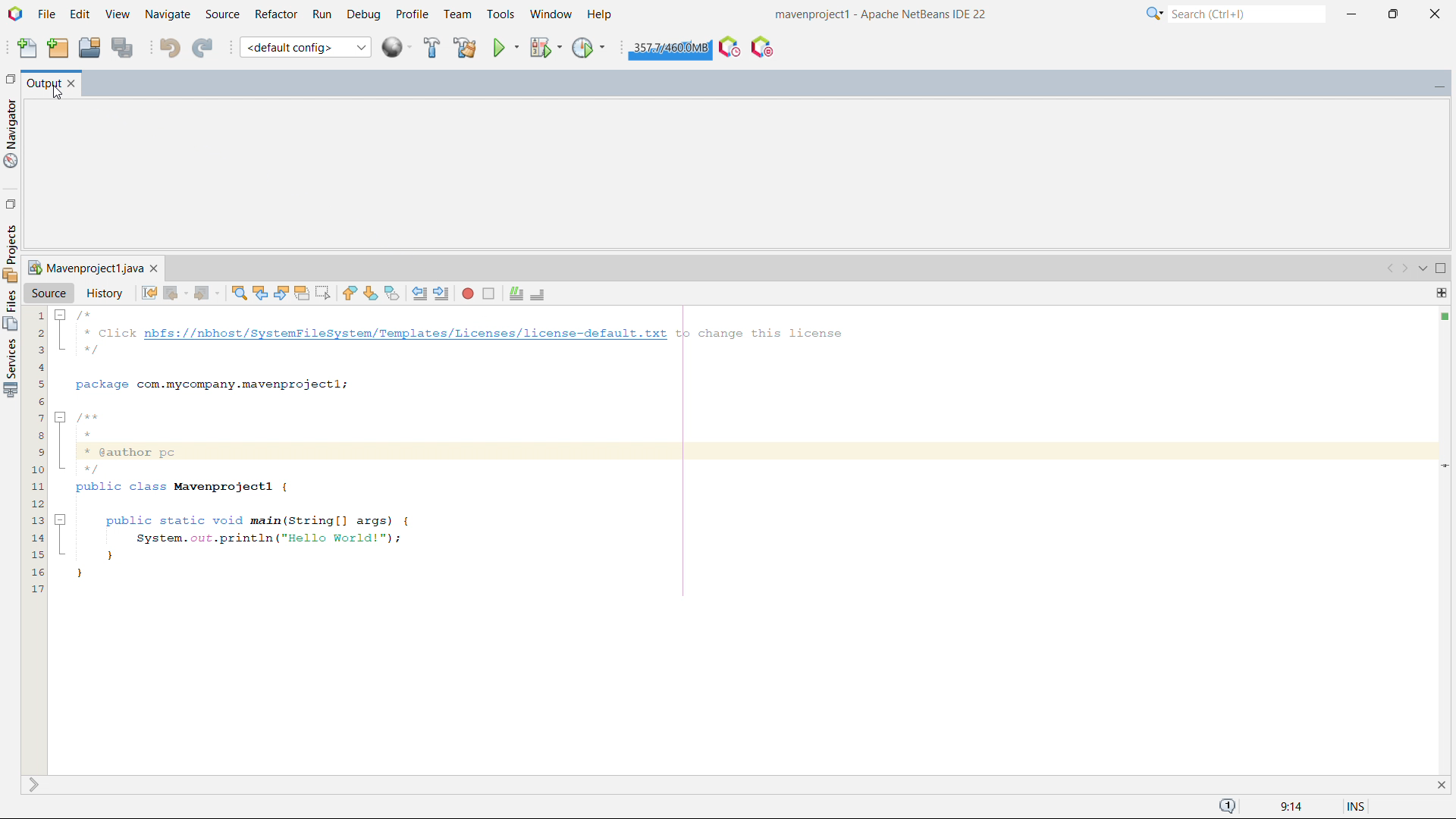 The image size is (1456, 819). I want to click on view, so click(118, 14).